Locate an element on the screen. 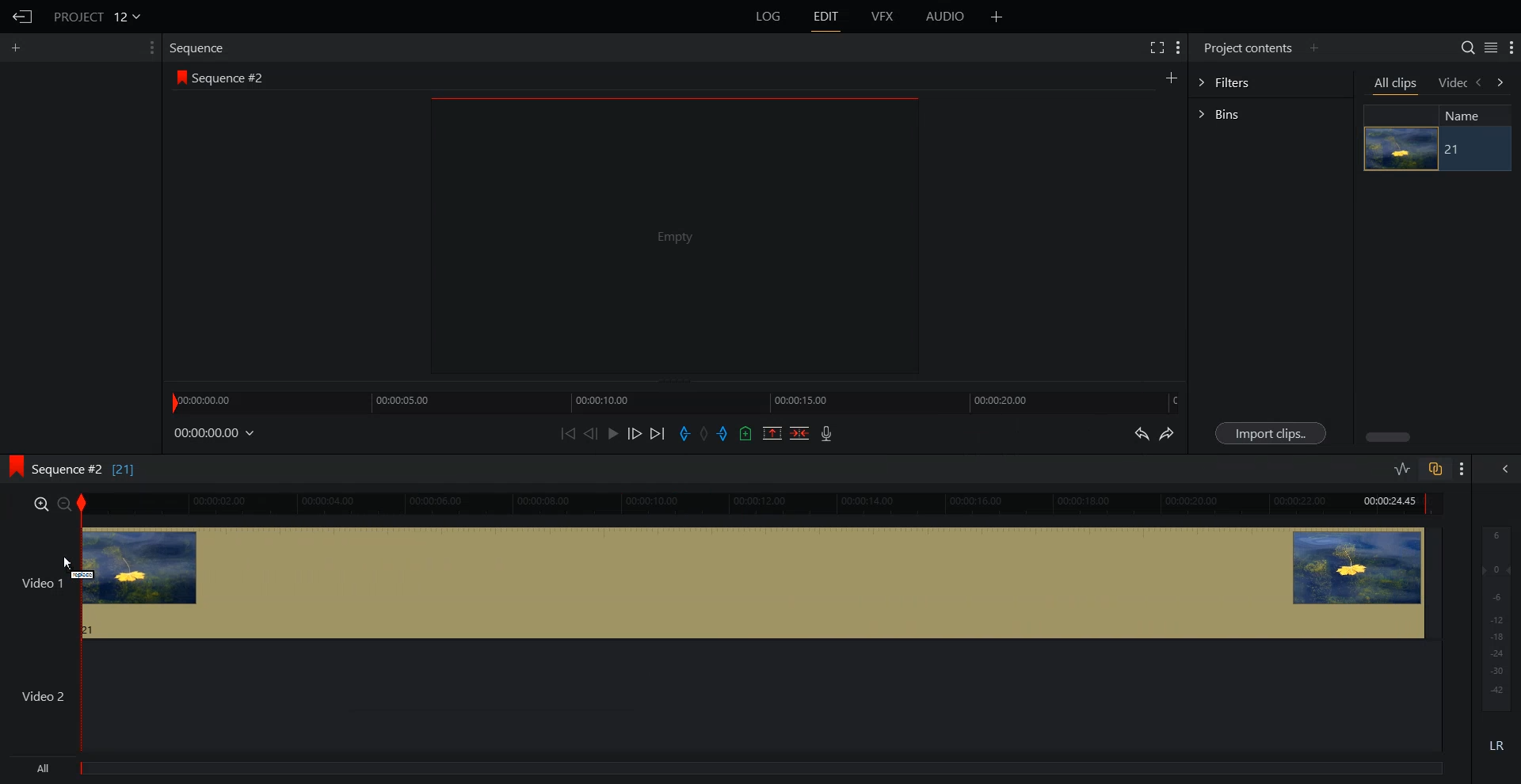  Move Backward is located at coordinates (570, 432).